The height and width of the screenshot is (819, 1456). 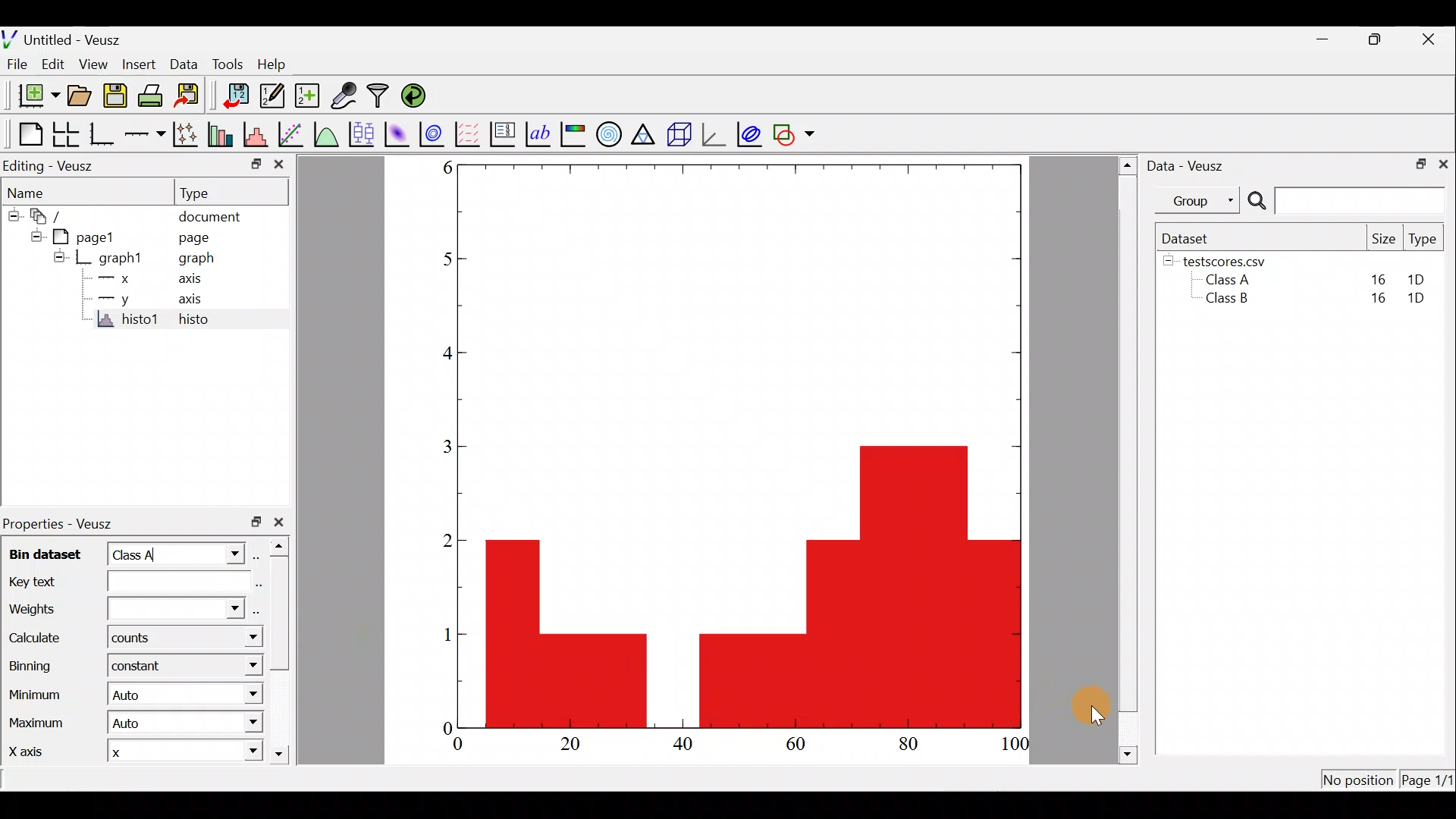 I want to click on x, so click(x=113, y=281).